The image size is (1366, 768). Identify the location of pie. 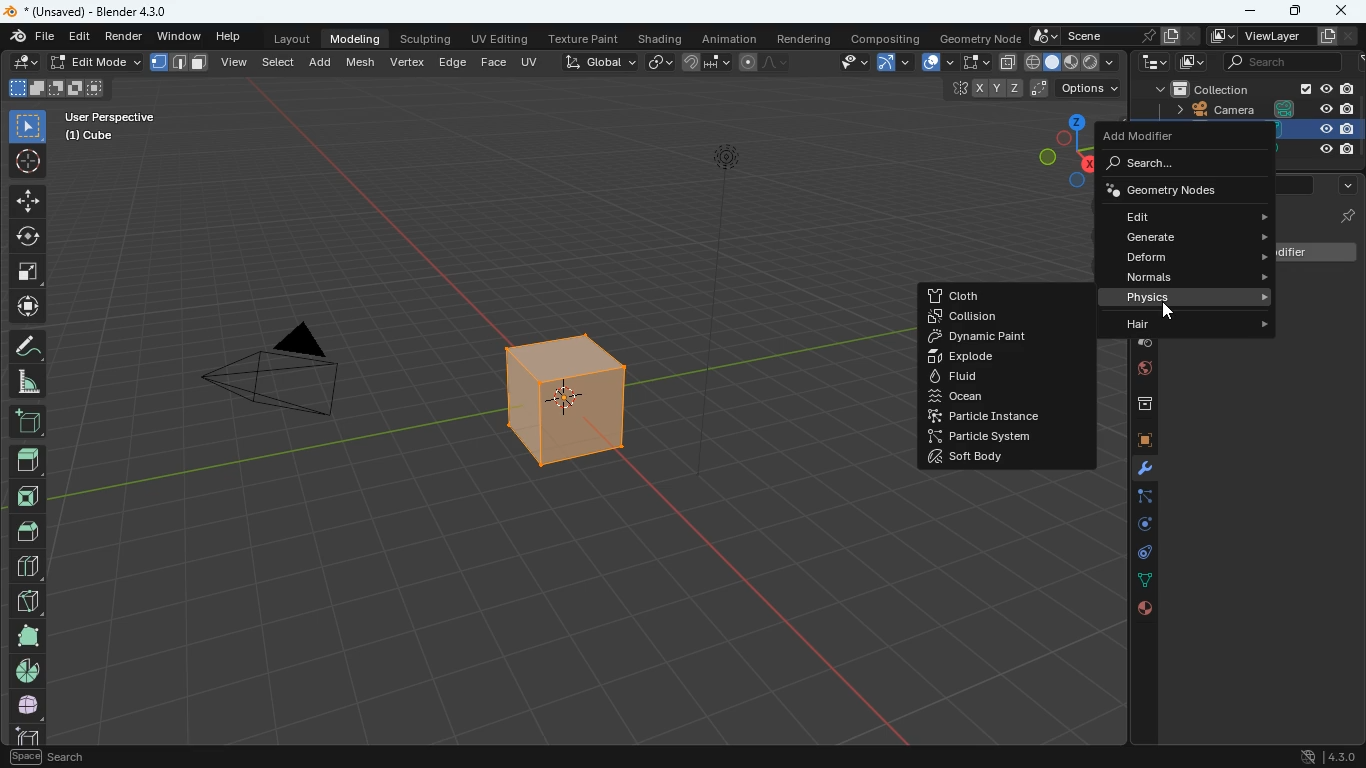
(30, 671).